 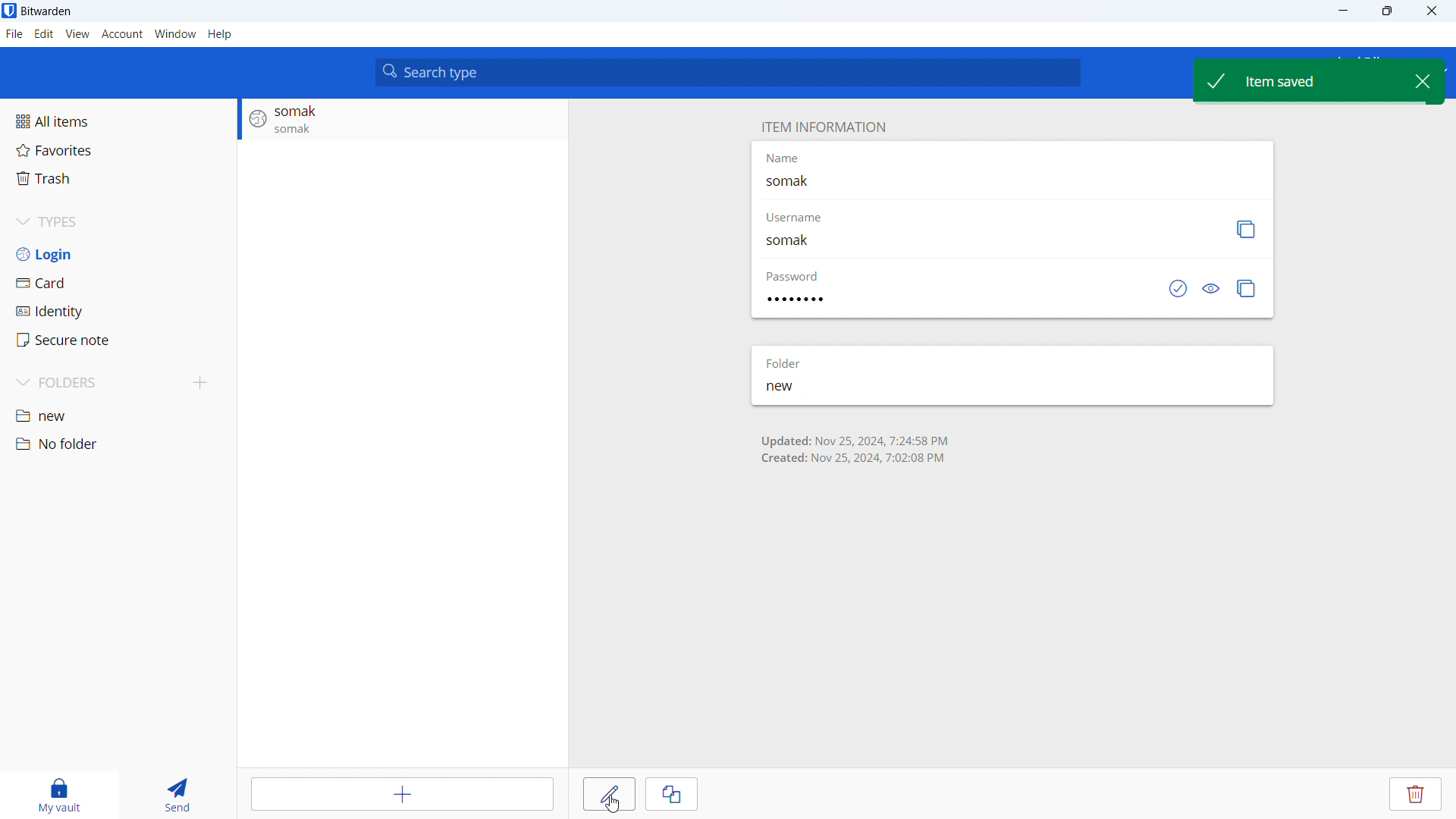 What do you see at coordinates (118, 253) in the screenshot?
I see `login` at bounding box center [118, 253].